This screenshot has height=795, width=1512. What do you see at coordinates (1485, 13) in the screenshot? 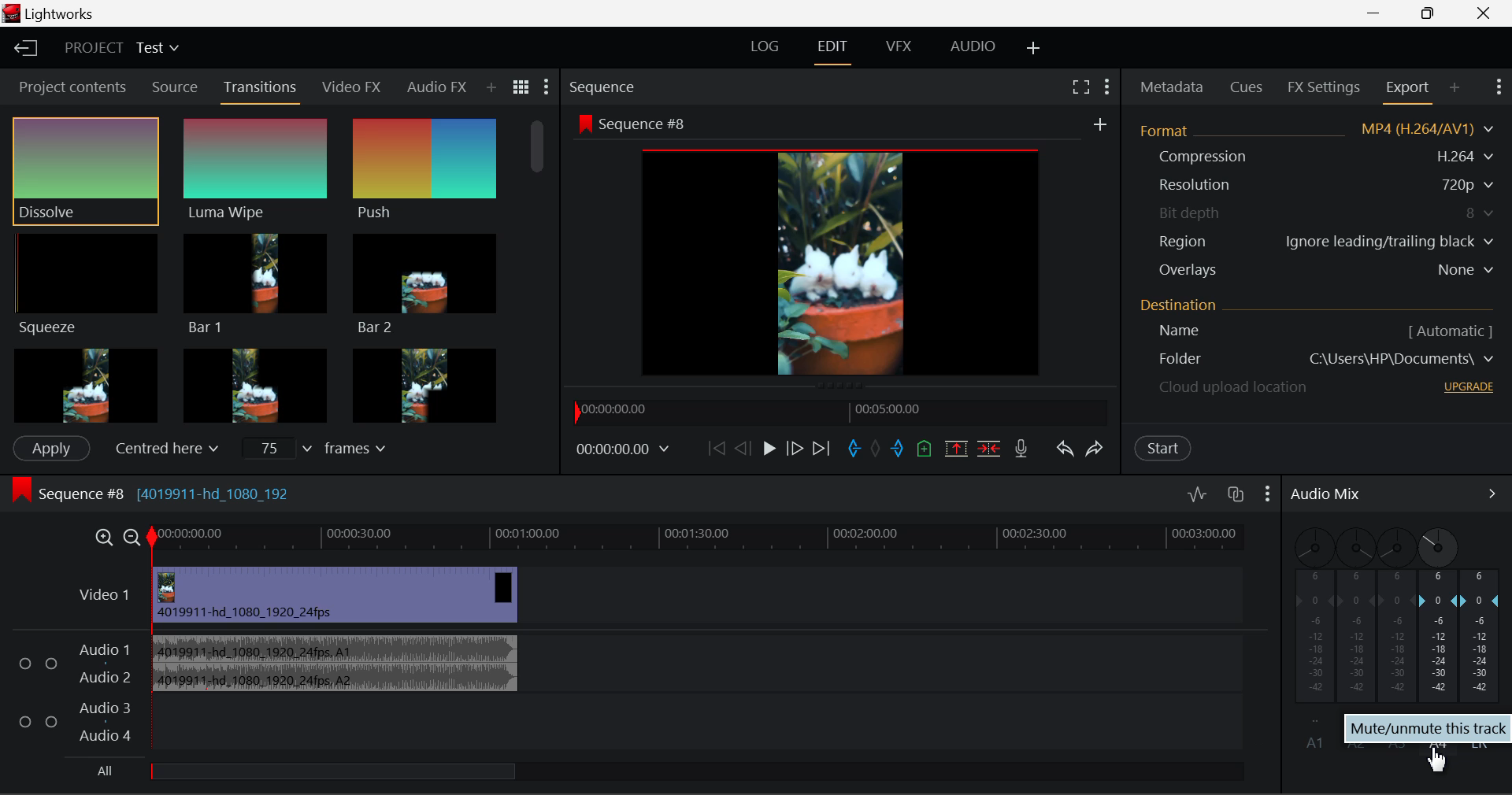
I see `Close` at bounding box center [1485, 13].